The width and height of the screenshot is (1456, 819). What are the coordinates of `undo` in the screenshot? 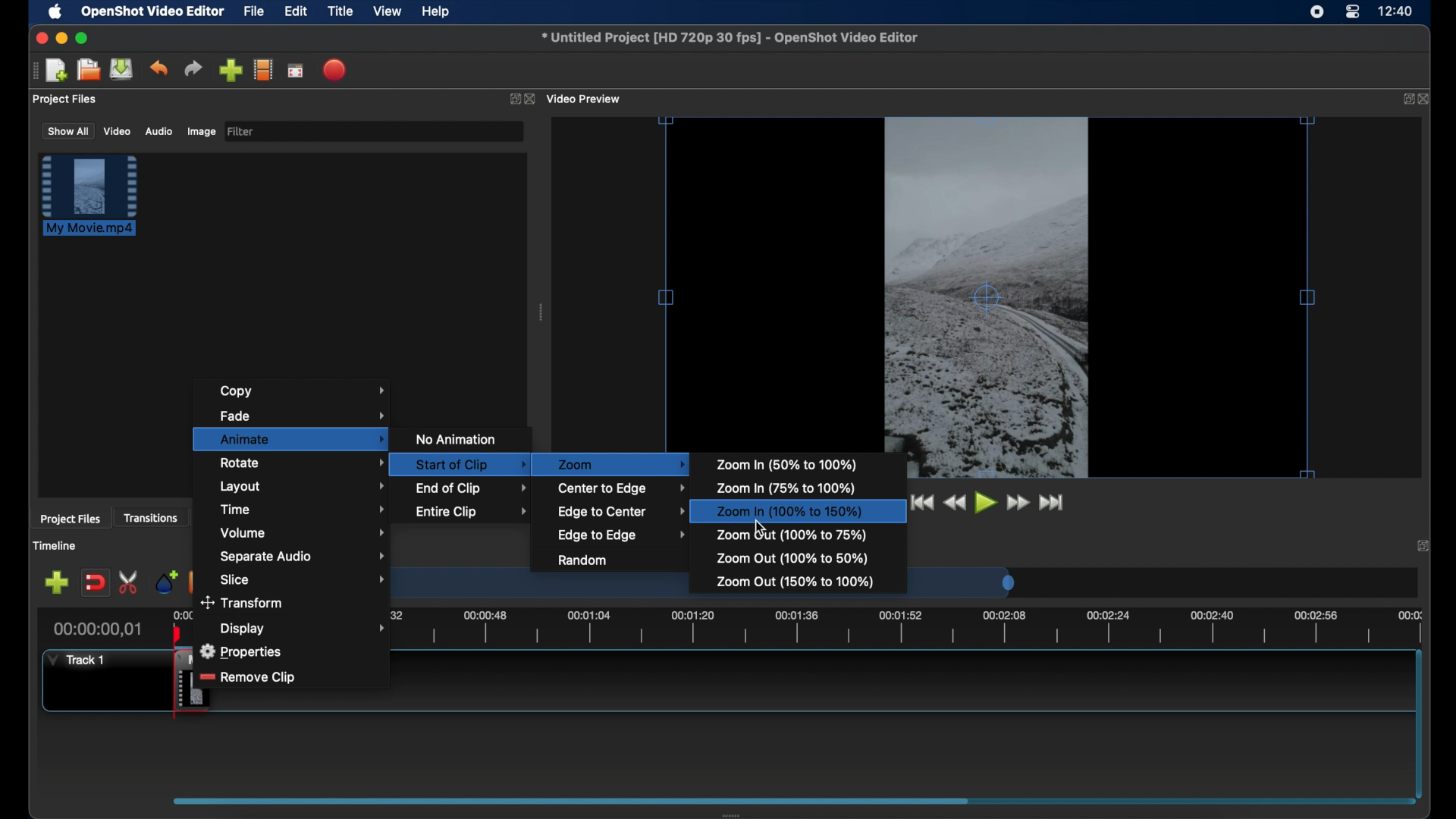 It's located at (158, 67).